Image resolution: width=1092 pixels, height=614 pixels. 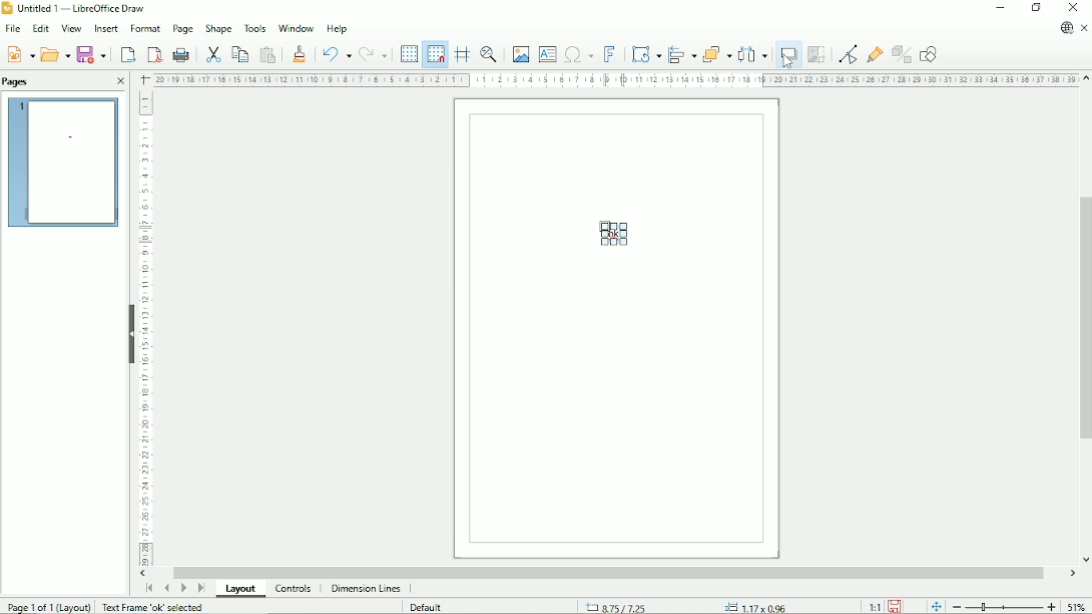 What do you see at coordinates (334, 54) in the screenshot?
I see `Undo` at bounding box center [334, 54].